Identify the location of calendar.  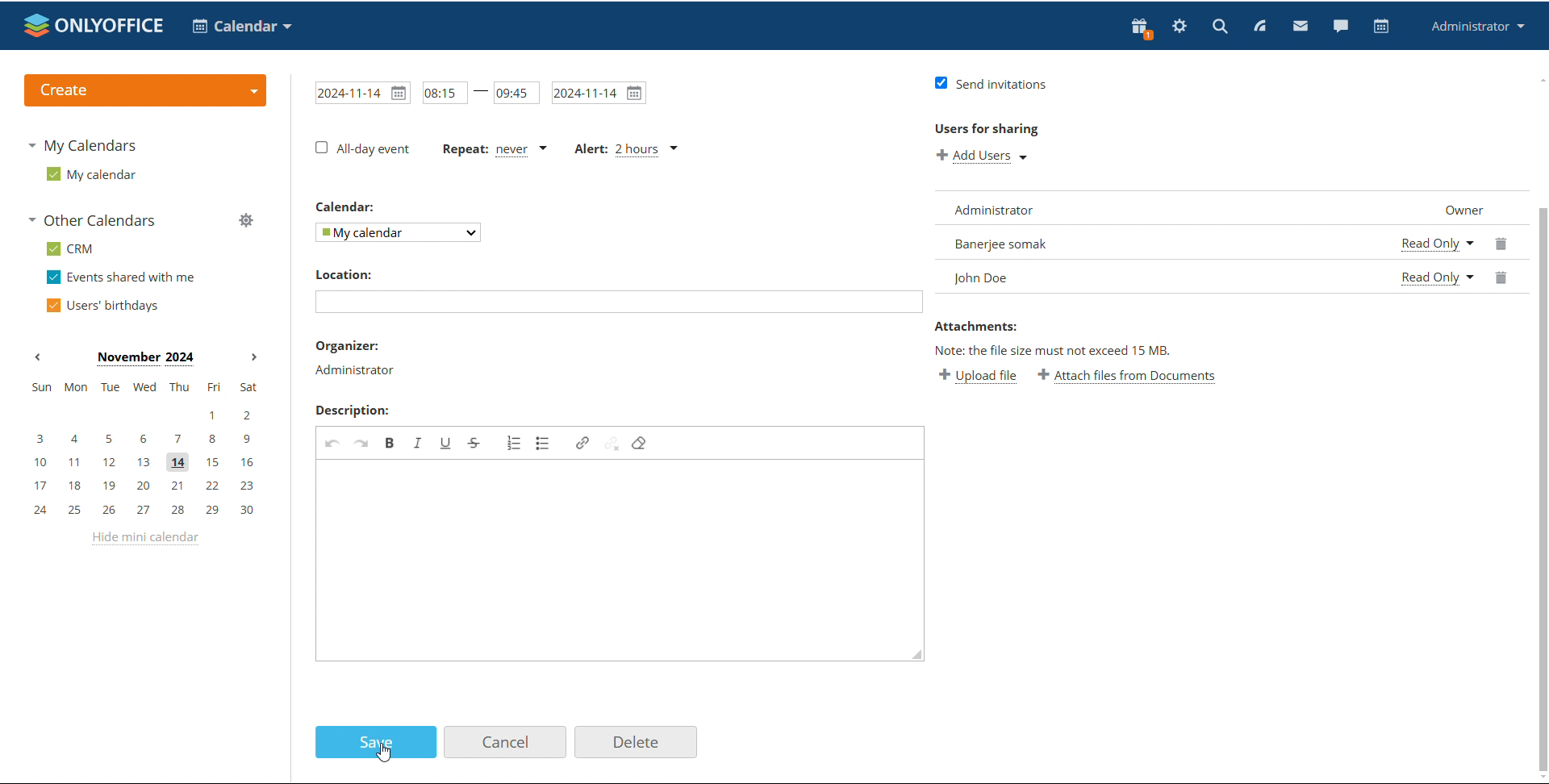
(1382, 27).